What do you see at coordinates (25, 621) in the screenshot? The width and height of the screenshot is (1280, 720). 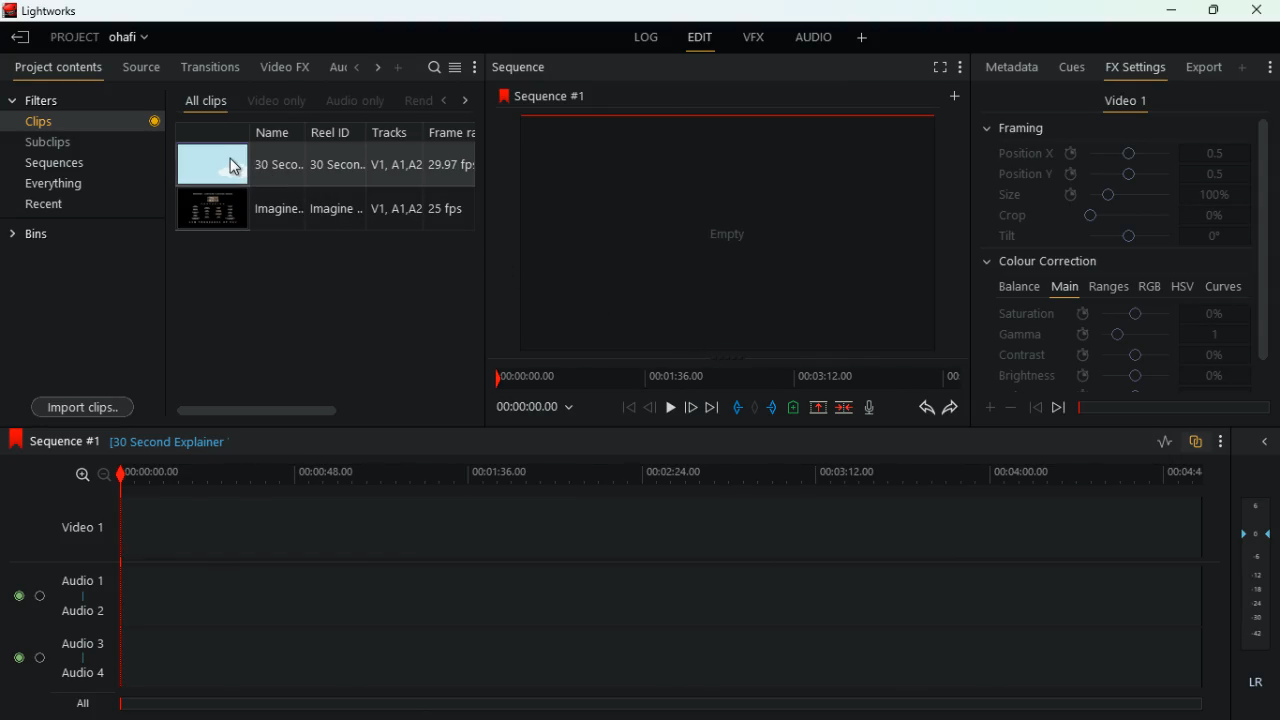 I see `radio button` at bounding box center [25, 621].